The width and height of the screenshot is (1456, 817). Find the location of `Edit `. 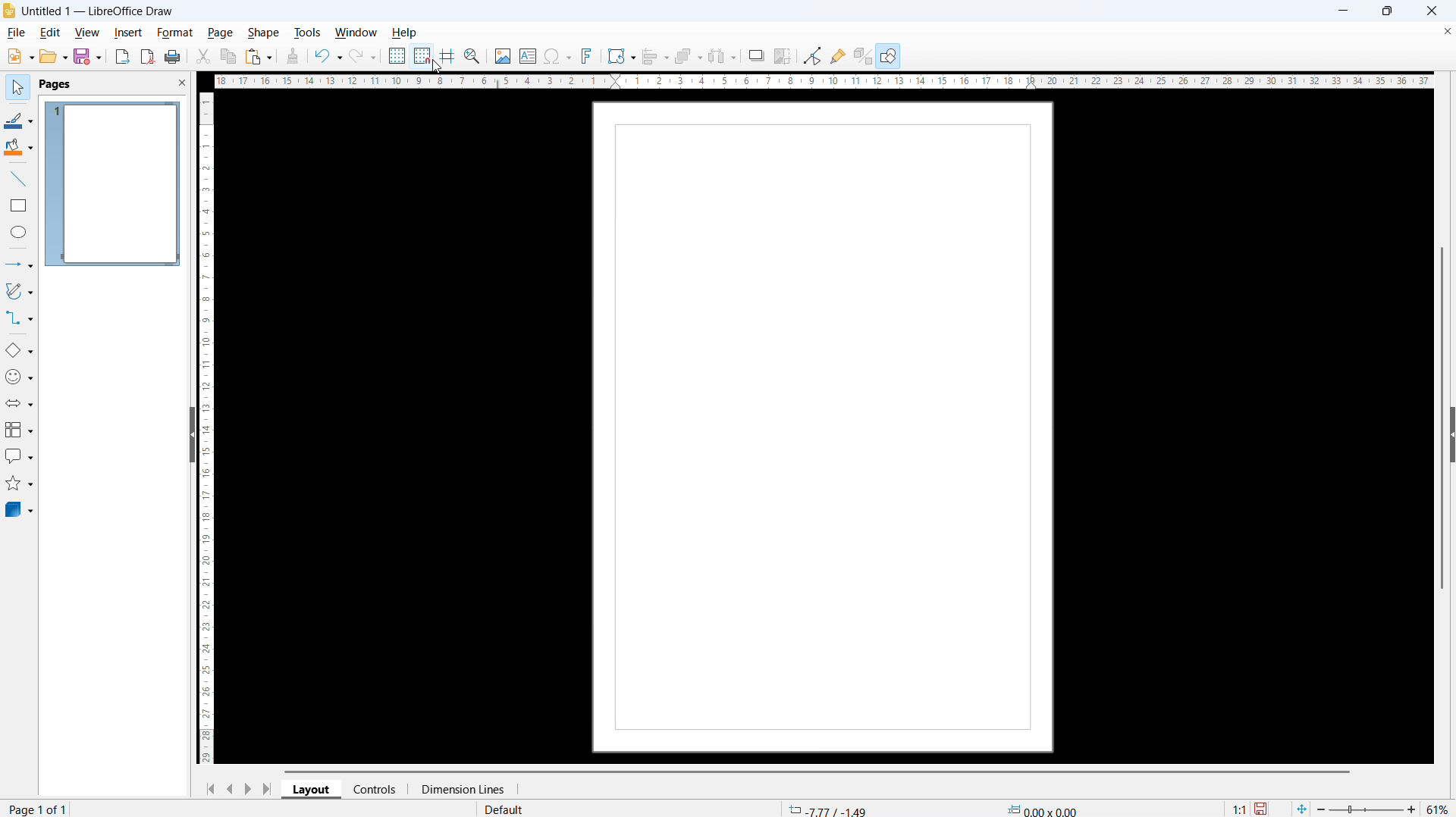

Edit  is located at coordinates (51, 33).